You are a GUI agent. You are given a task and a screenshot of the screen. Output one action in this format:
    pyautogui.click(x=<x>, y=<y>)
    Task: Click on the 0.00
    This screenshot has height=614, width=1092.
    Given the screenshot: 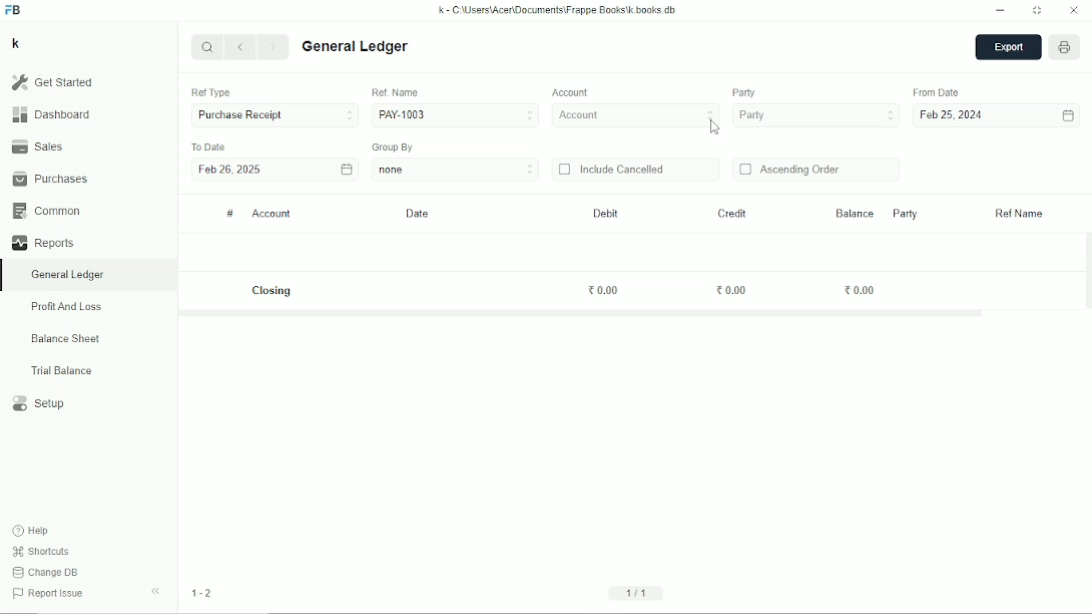 What is the action you would take?
    pyautogui.click(x=732, y=291)
    